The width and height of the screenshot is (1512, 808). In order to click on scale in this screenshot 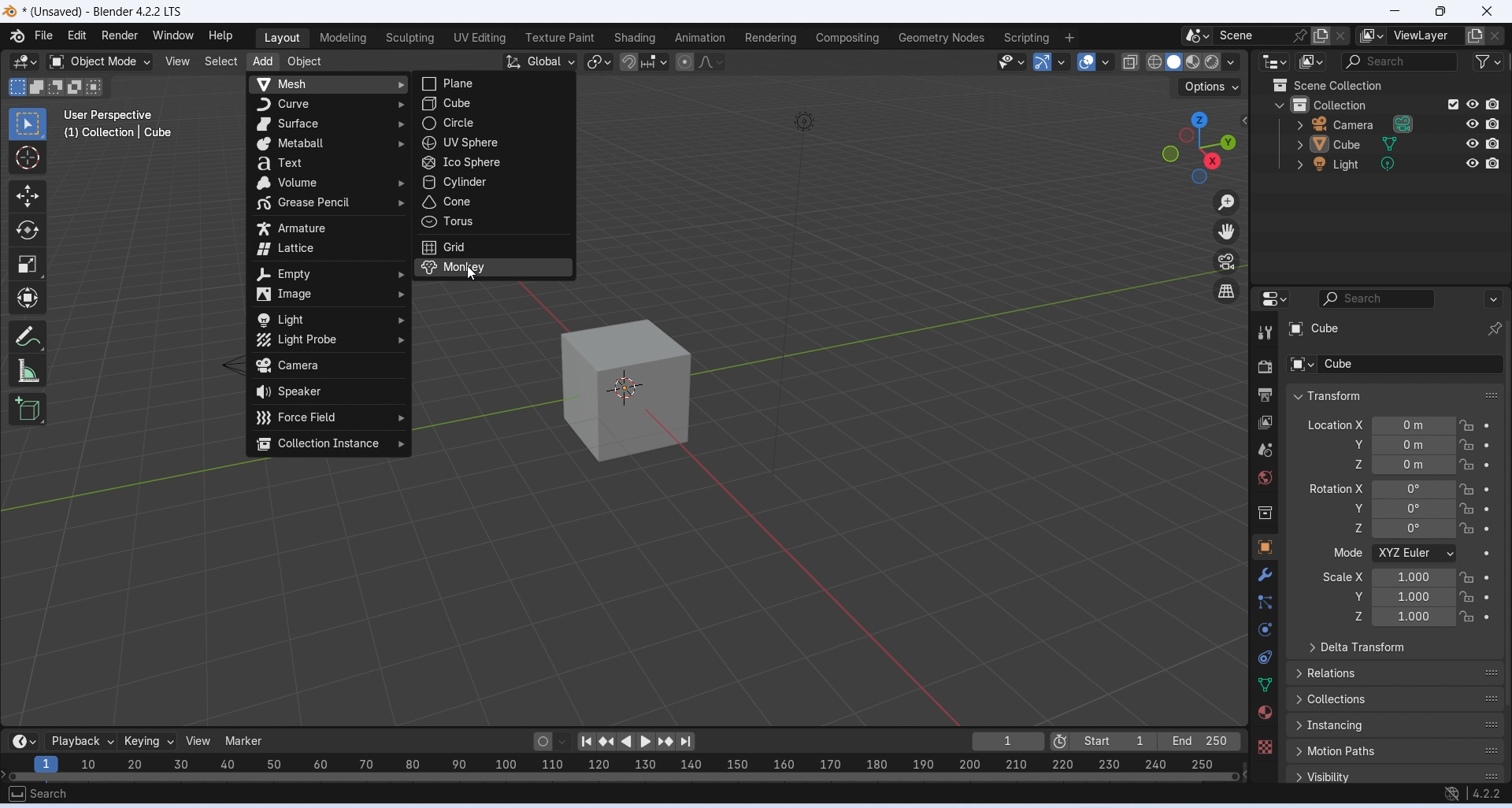, I will do `click(1413, 617)`.